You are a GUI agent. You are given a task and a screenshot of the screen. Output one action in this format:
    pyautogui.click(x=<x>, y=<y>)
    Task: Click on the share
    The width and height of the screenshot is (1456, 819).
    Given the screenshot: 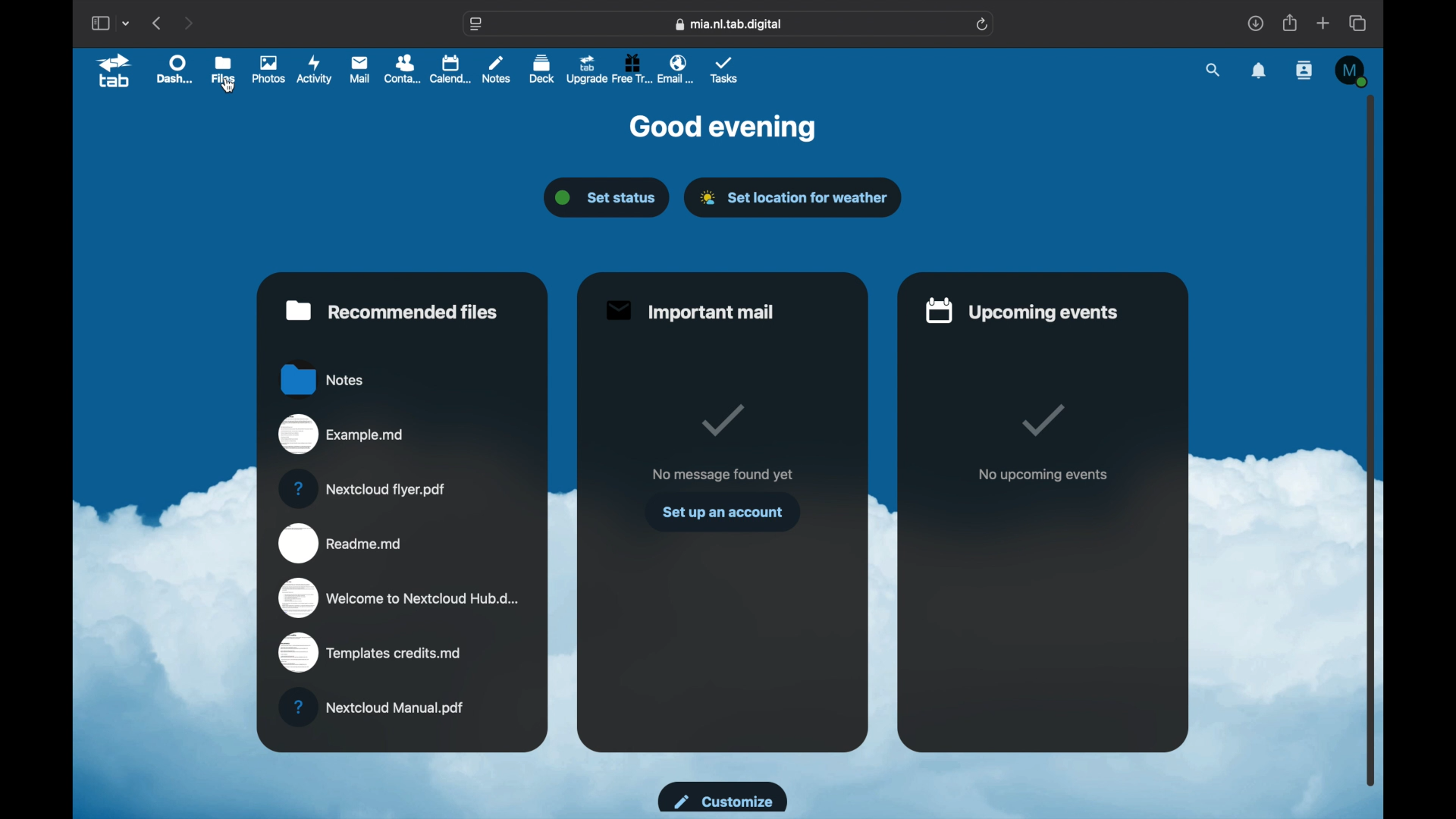 What is the action you would take?
    pyautogui.click(x=1291, y=23)
    